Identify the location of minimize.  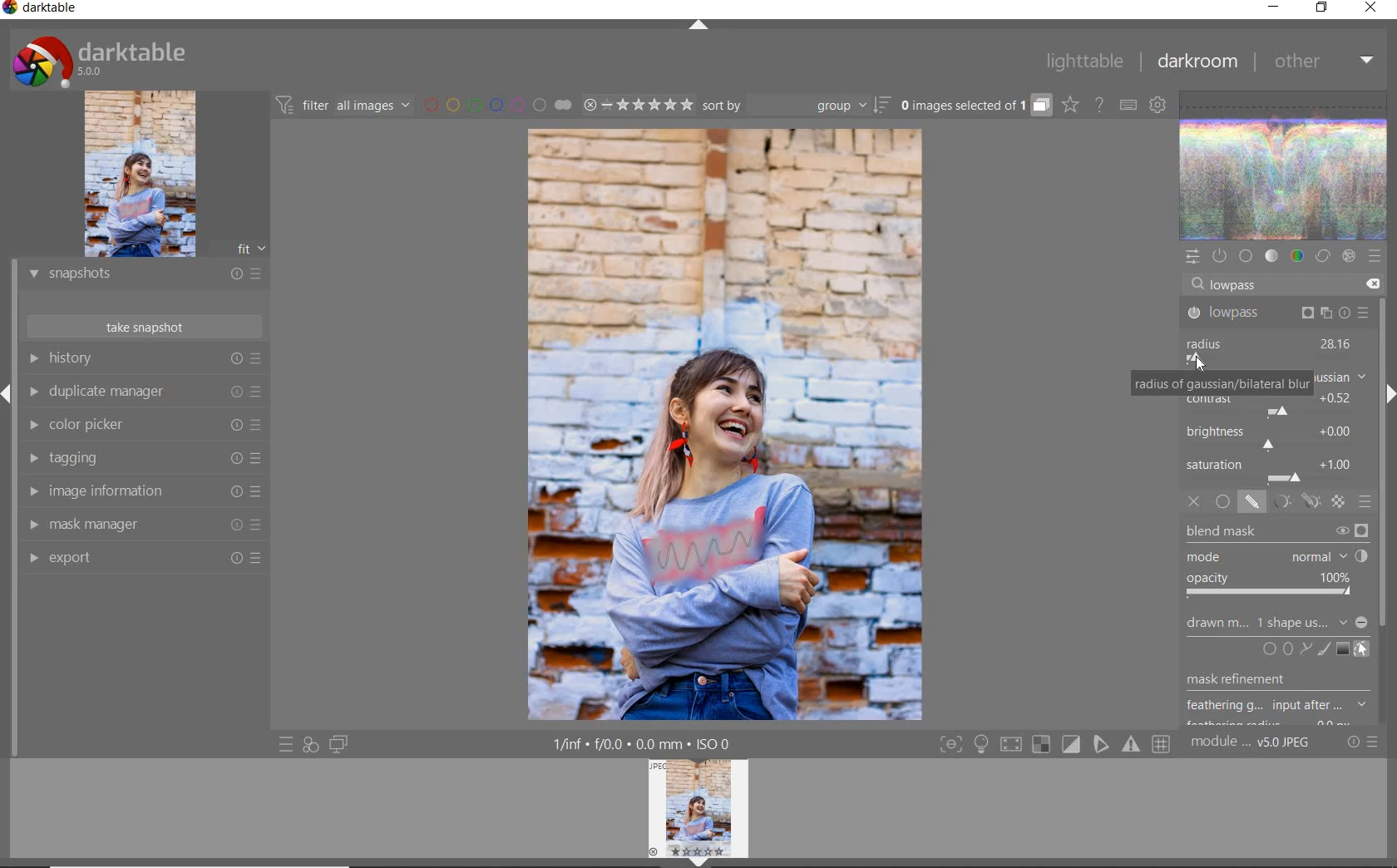
(1275, 8).